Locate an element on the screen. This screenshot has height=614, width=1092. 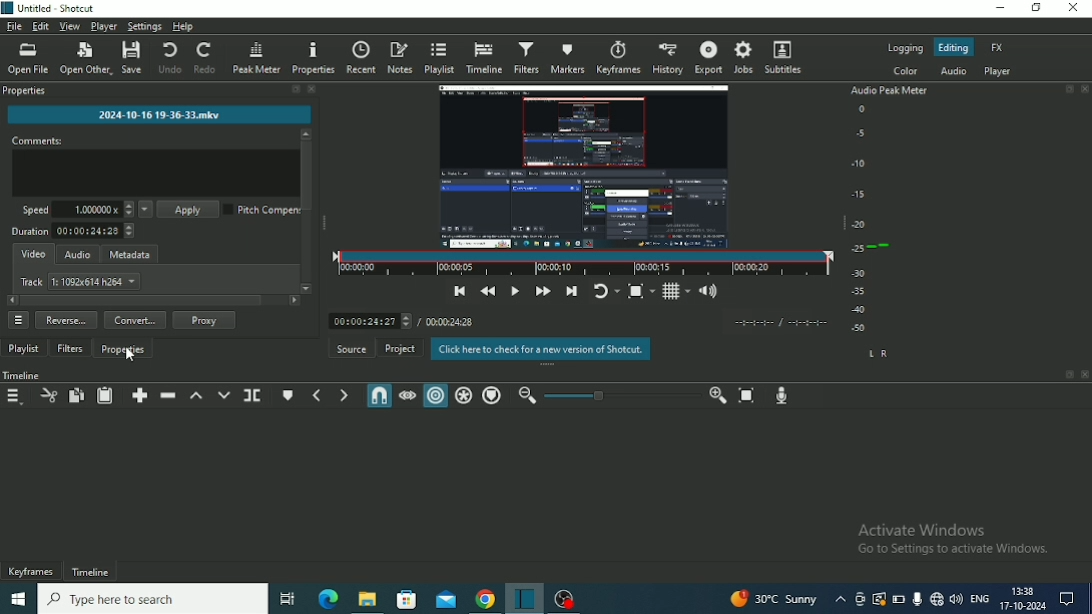
Metadata is located at coordinates (130, 254).